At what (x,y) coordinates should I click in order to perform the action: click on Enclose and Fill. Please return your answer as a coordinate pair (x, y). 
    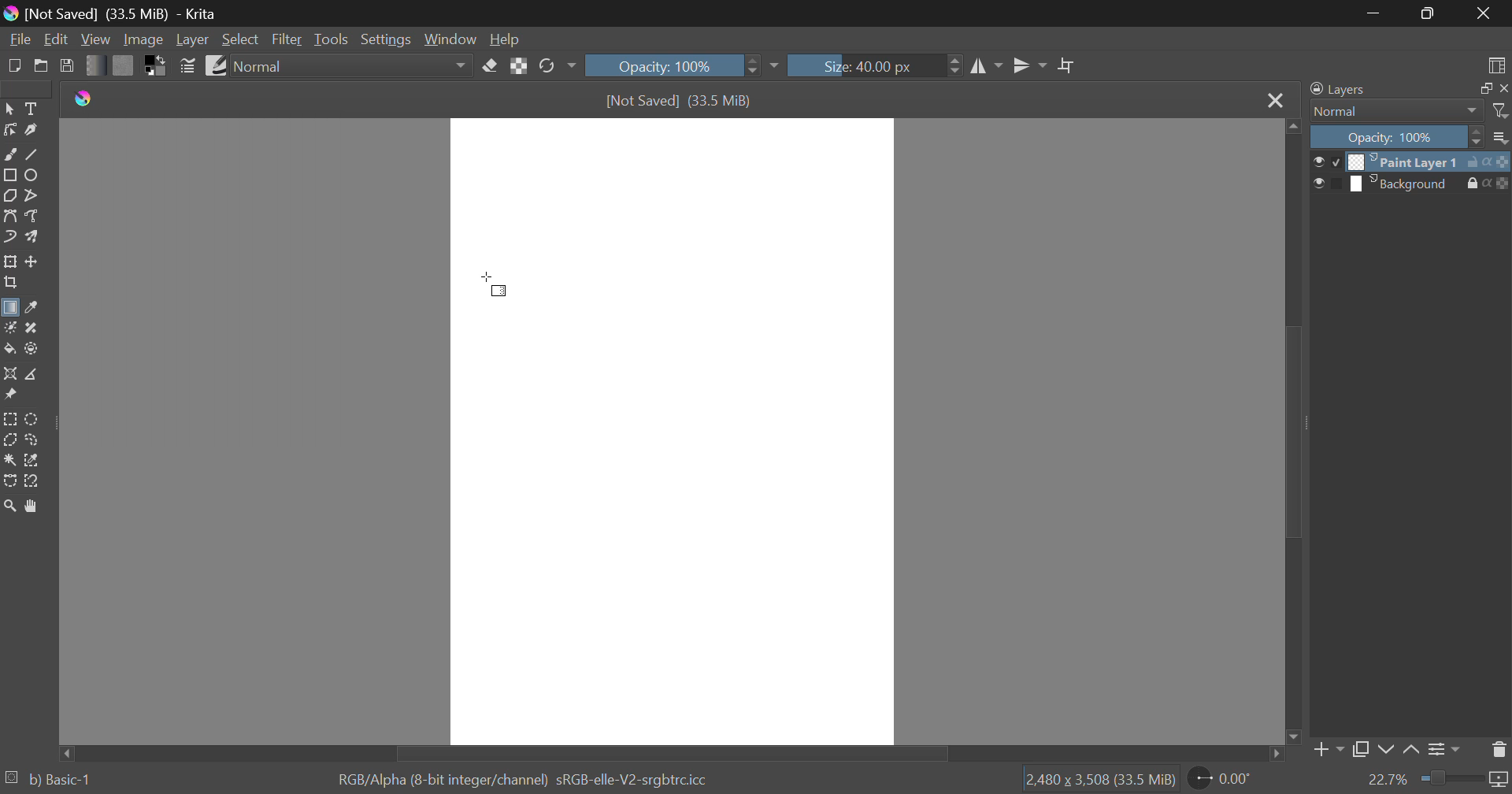
    Looking at the image, I should click on (30, 349).